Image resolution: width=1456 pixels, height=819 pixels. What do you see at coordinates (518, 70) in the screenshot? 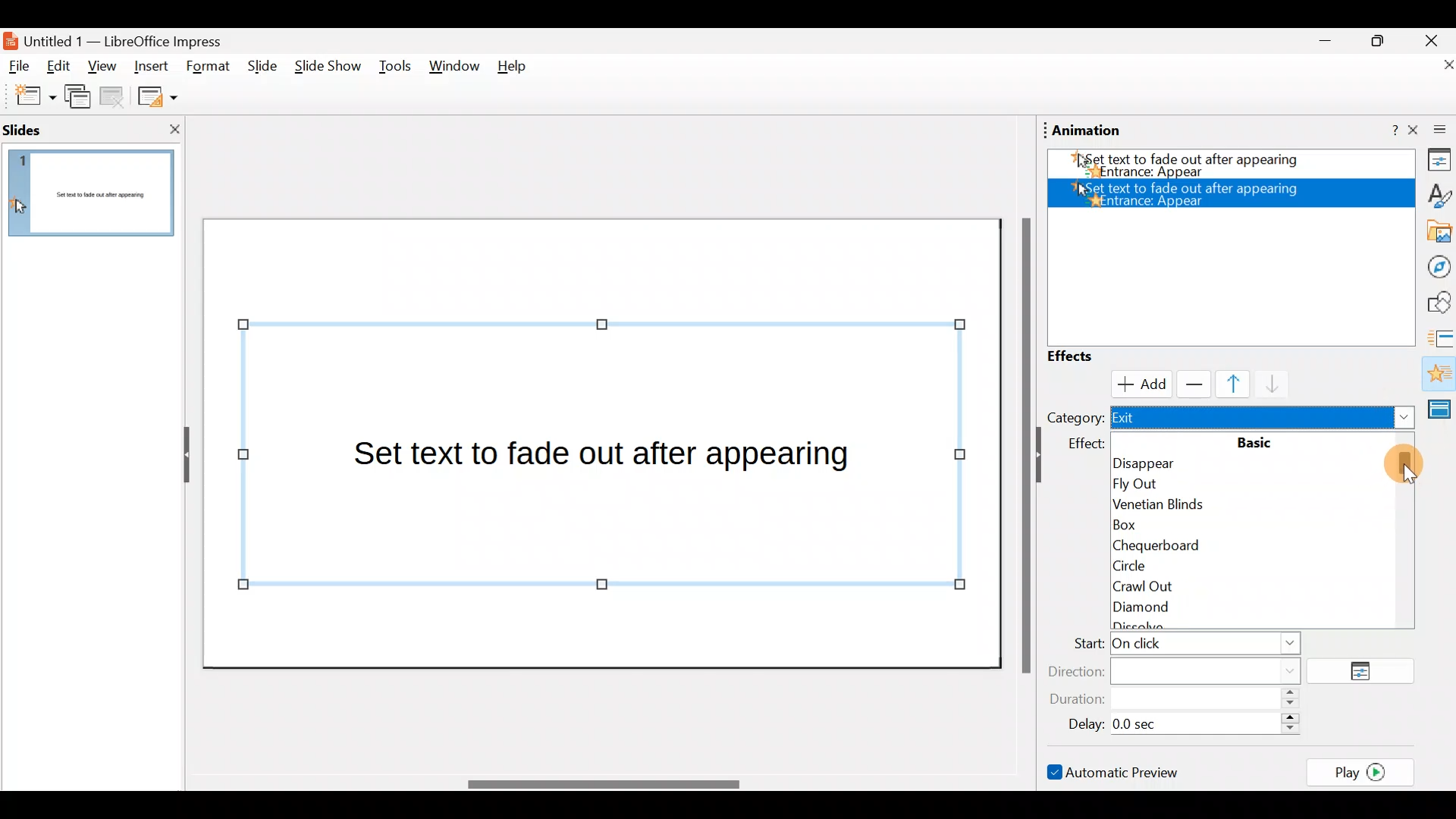
I see `Help` at bounding box center [518, 70].